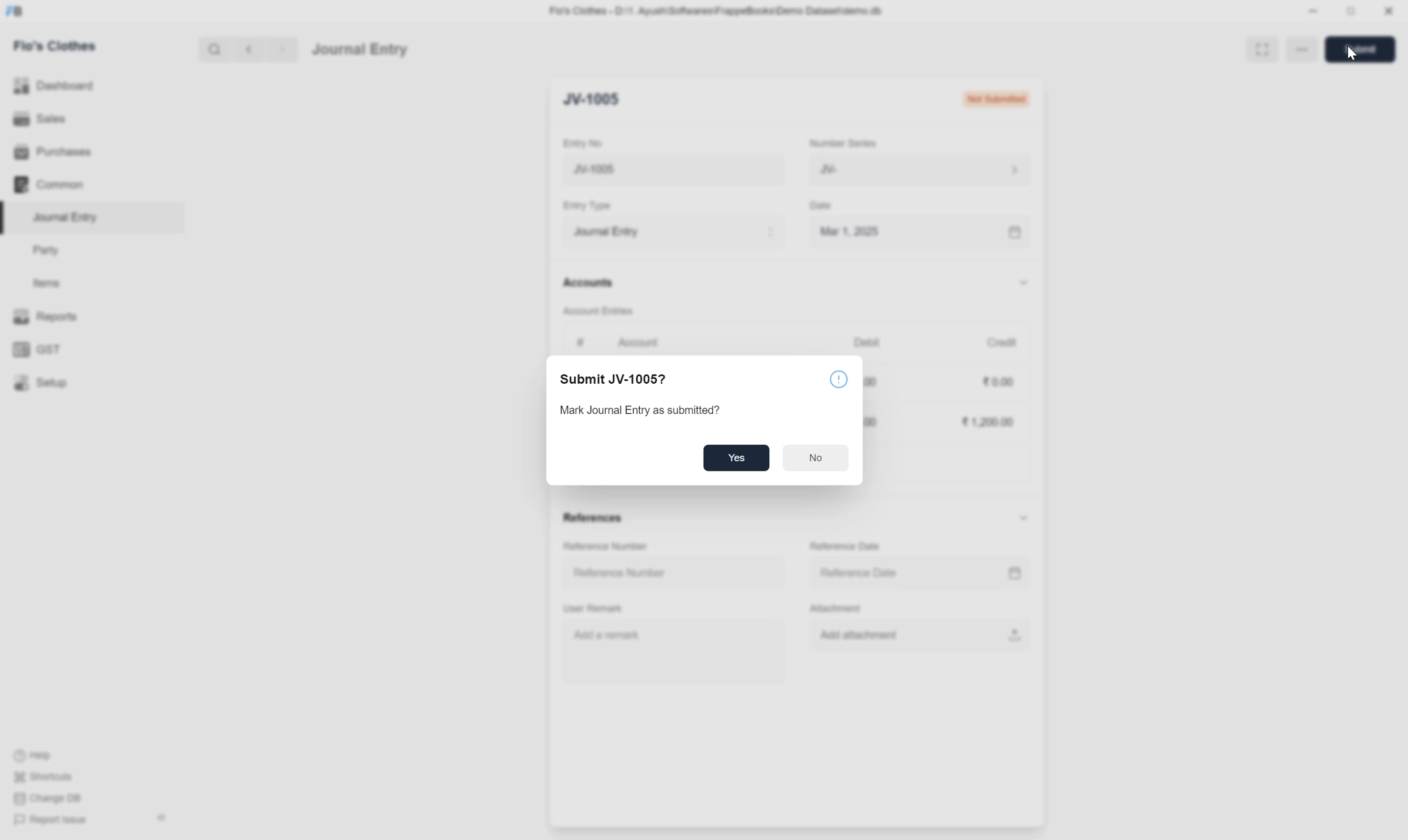 This screenshot has width=1408, height=840. I want to click on Mar 1, 2025, so click(850, 231).